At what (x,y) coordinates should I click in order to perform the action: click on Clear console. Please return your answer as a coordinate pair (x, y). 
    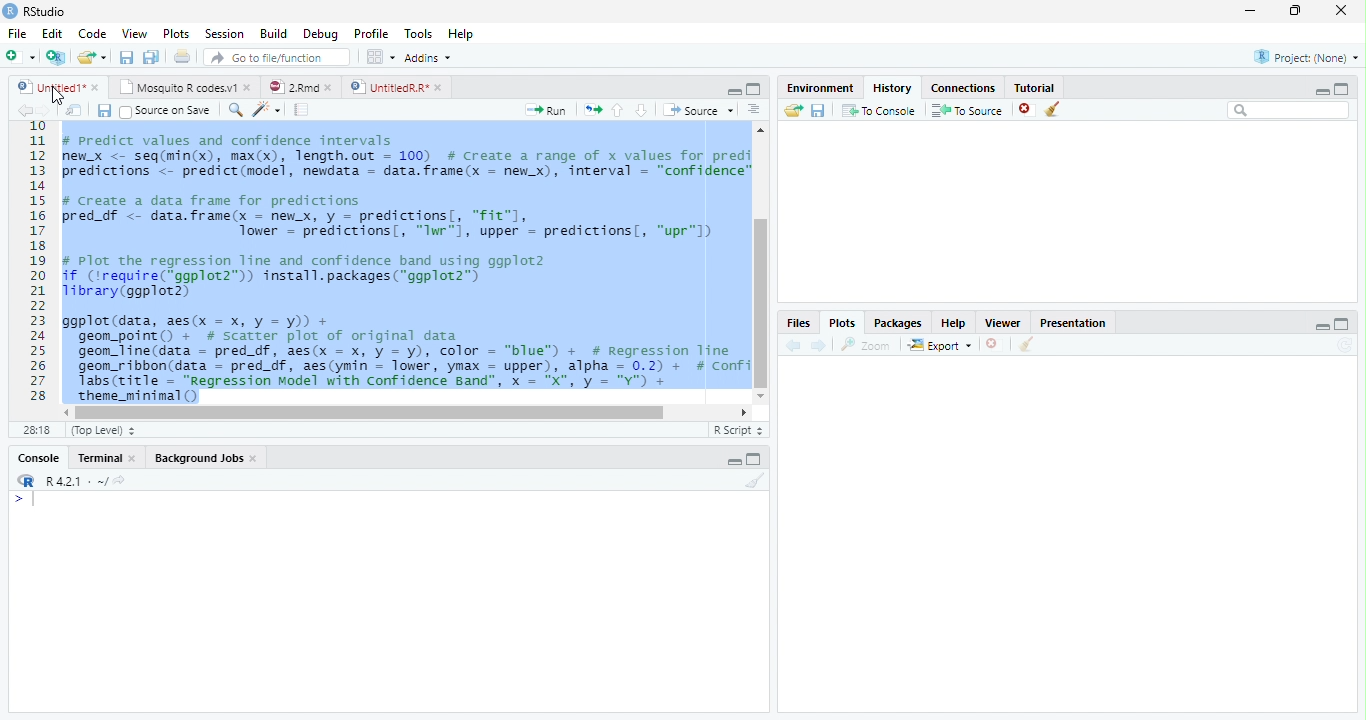
    Looking at the image, I should click on (756, 481).